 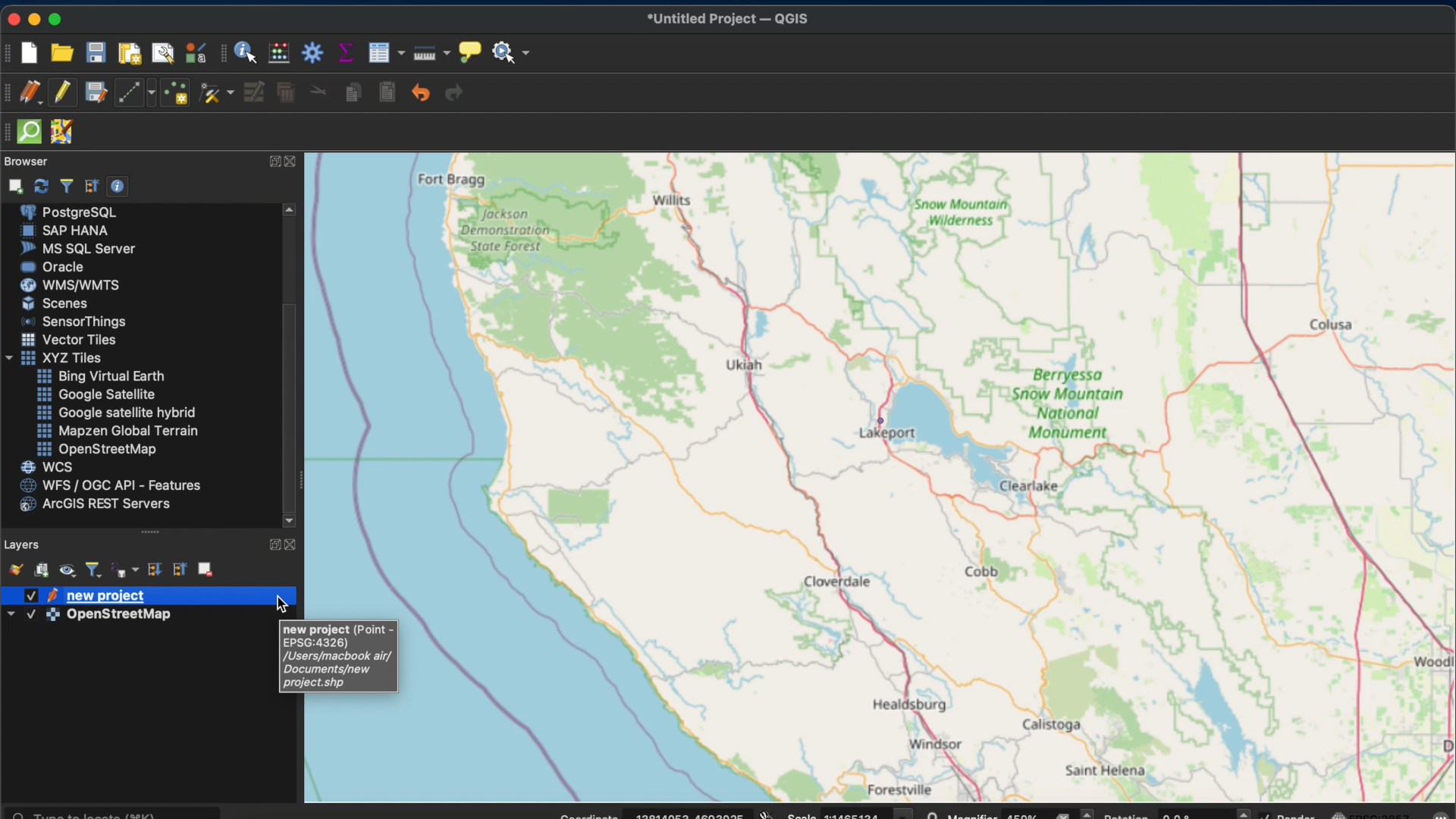 I want to click on new project layer, so click(x=83, y=595).